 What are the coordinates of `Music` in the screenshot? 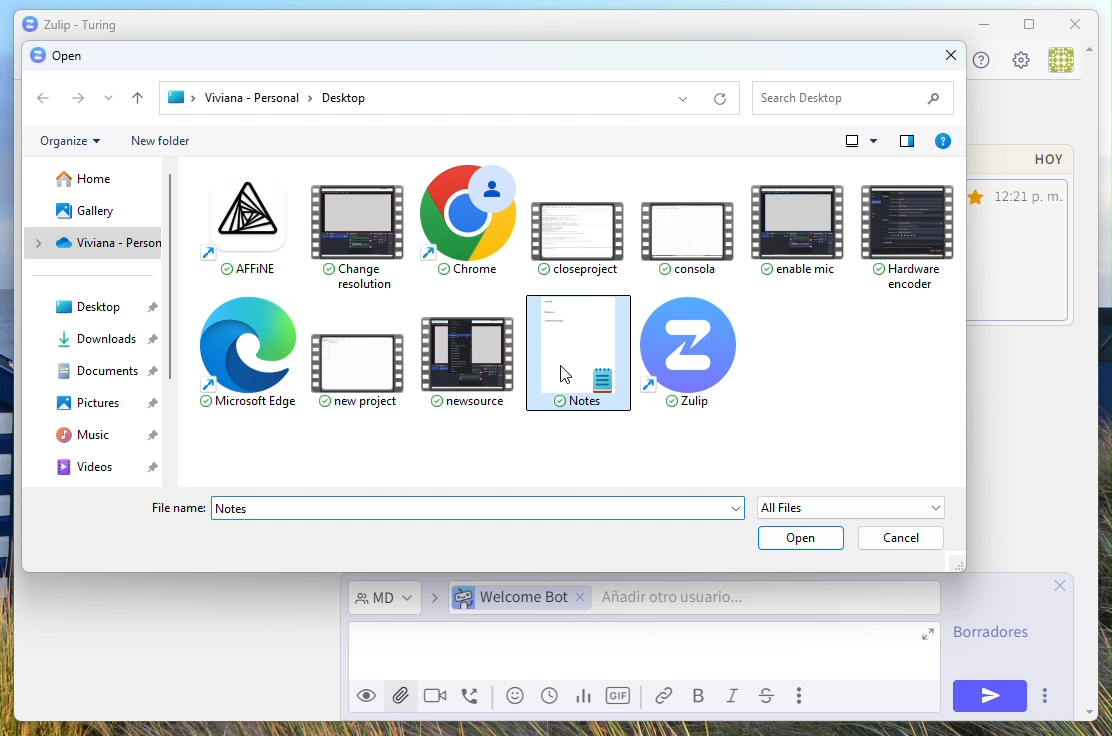 It's located at (112, 436).